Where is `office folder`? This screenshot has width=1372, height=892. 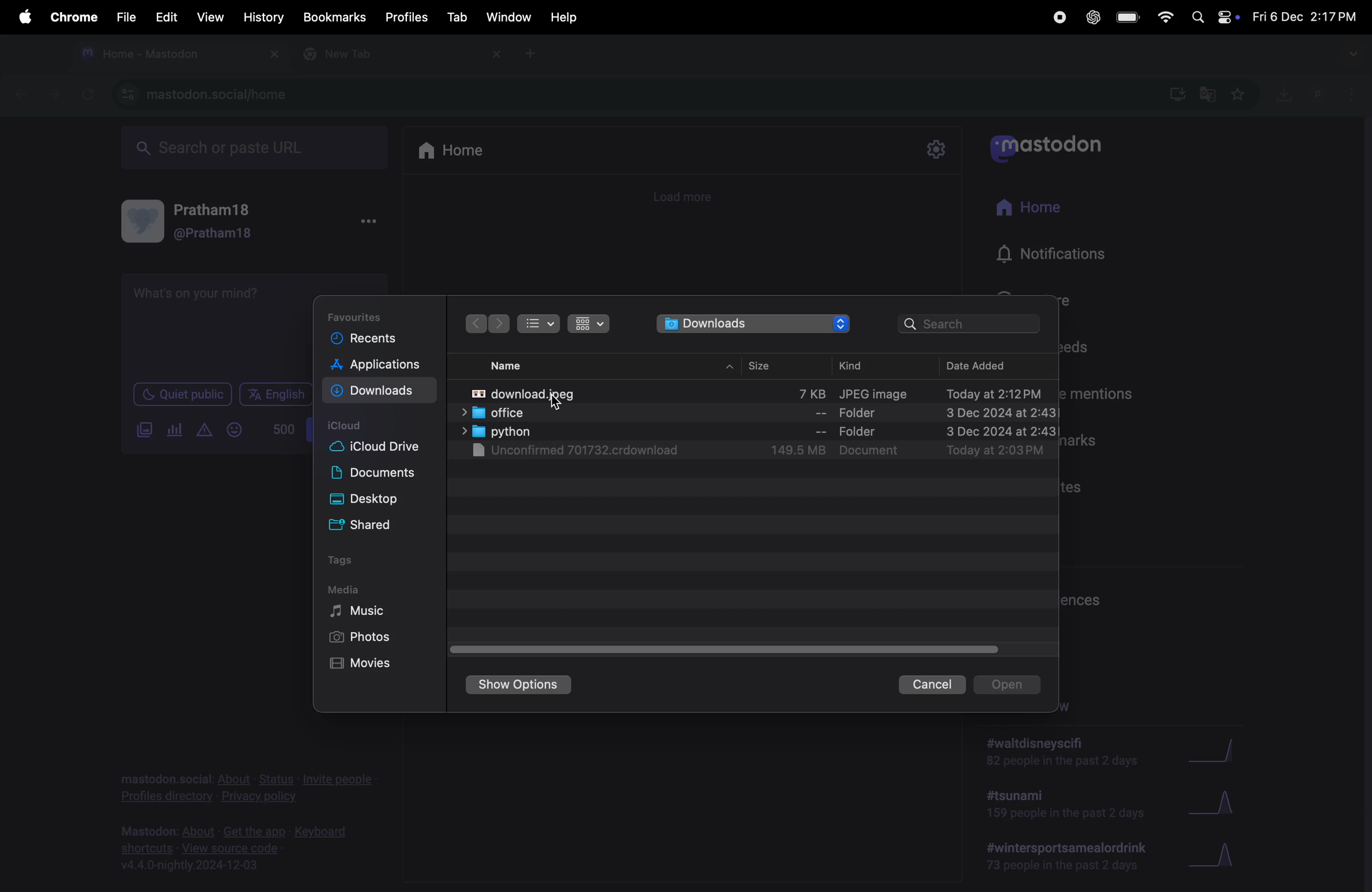 office folder is located at coordinates (754, 413).